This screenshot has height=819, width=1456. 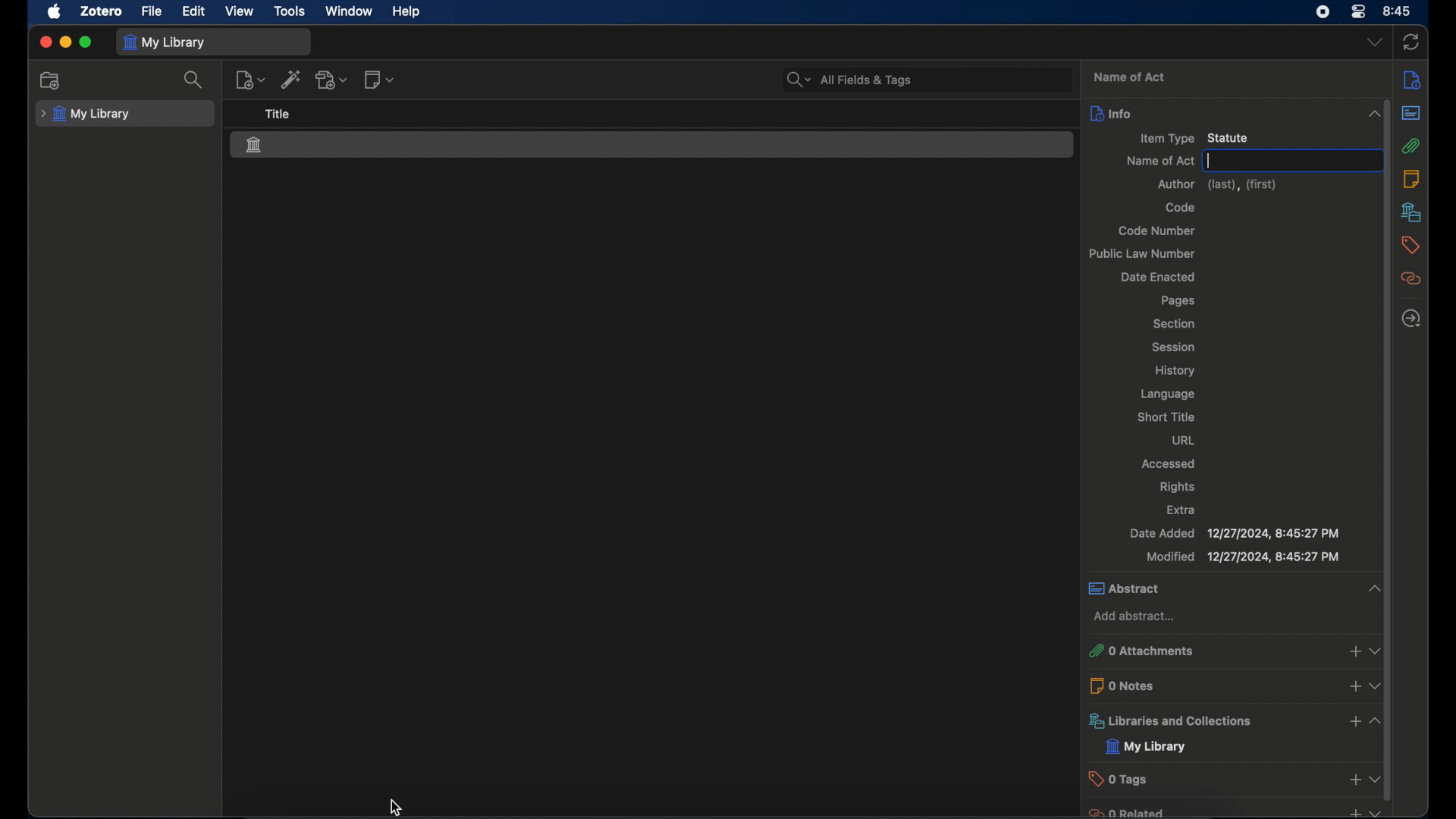 What do you see at coordinates (1353, 651) in the screenshot?
I see `add attachments` at bounding box center [1353, 651].